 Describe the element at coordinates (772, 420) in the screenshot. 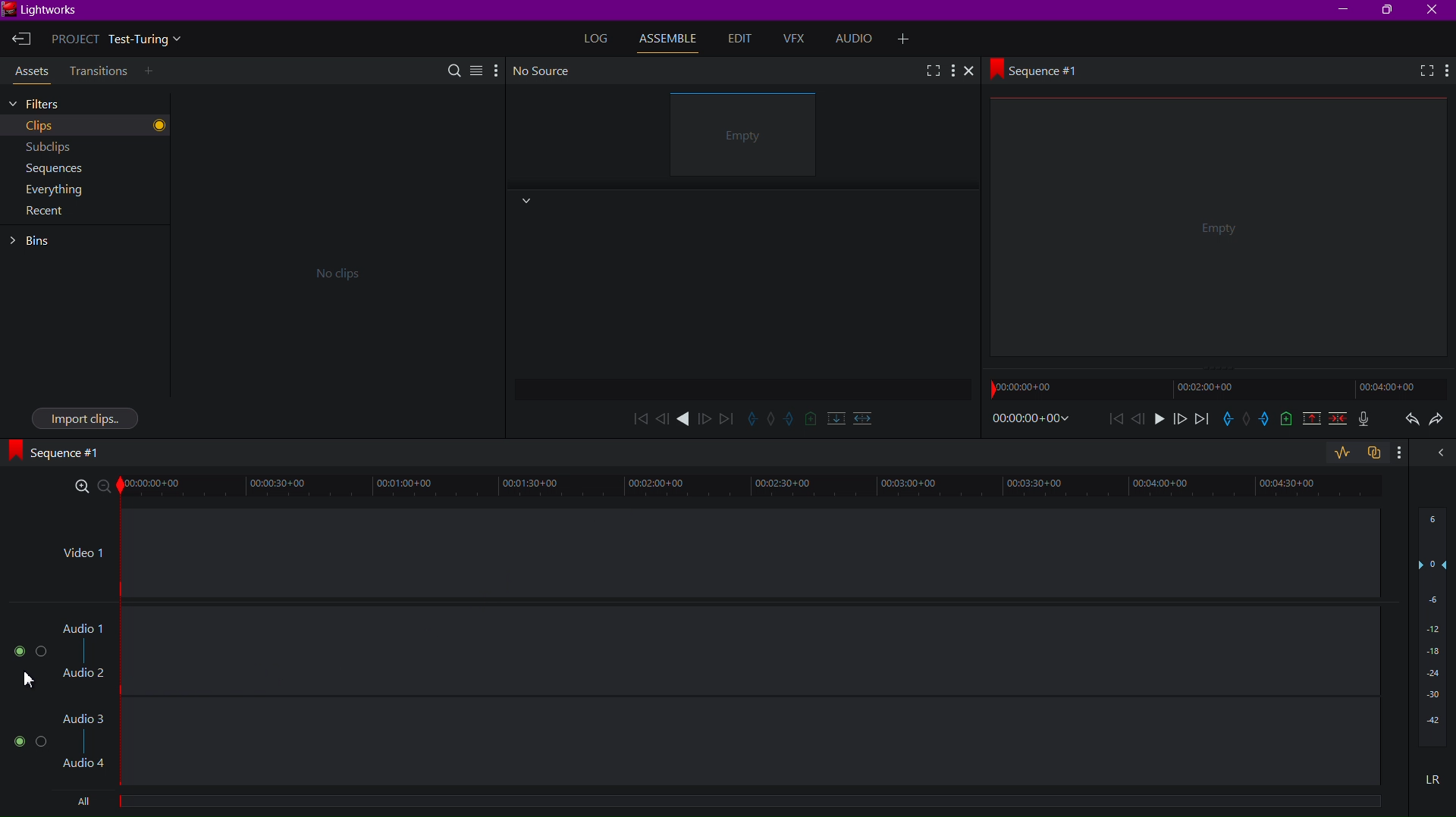

I see `roll edit` at that location.